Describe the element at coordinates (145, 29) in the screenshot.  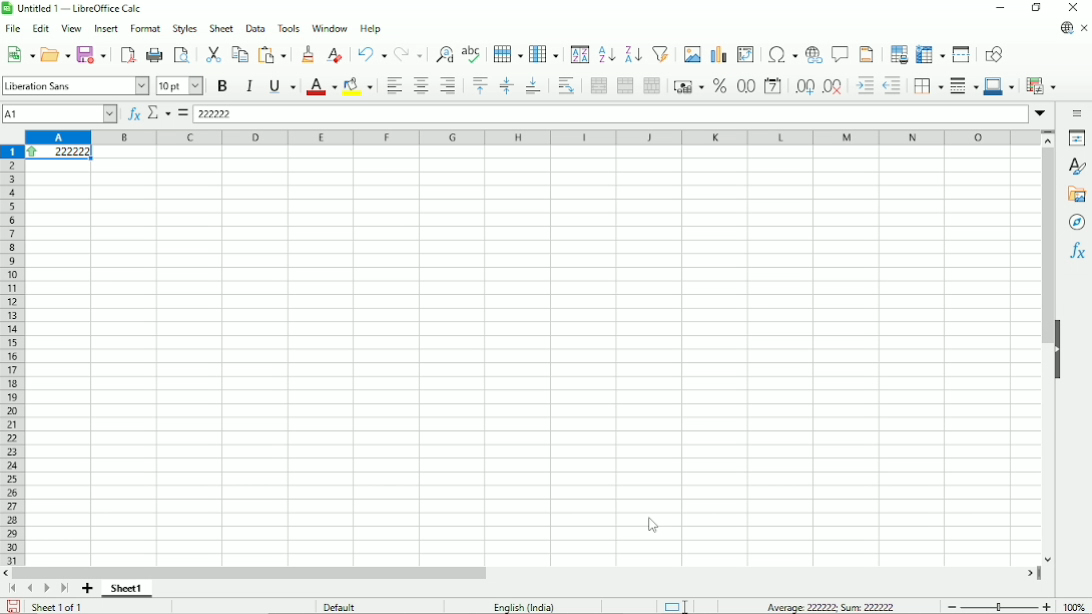
I see `Format` at that location.